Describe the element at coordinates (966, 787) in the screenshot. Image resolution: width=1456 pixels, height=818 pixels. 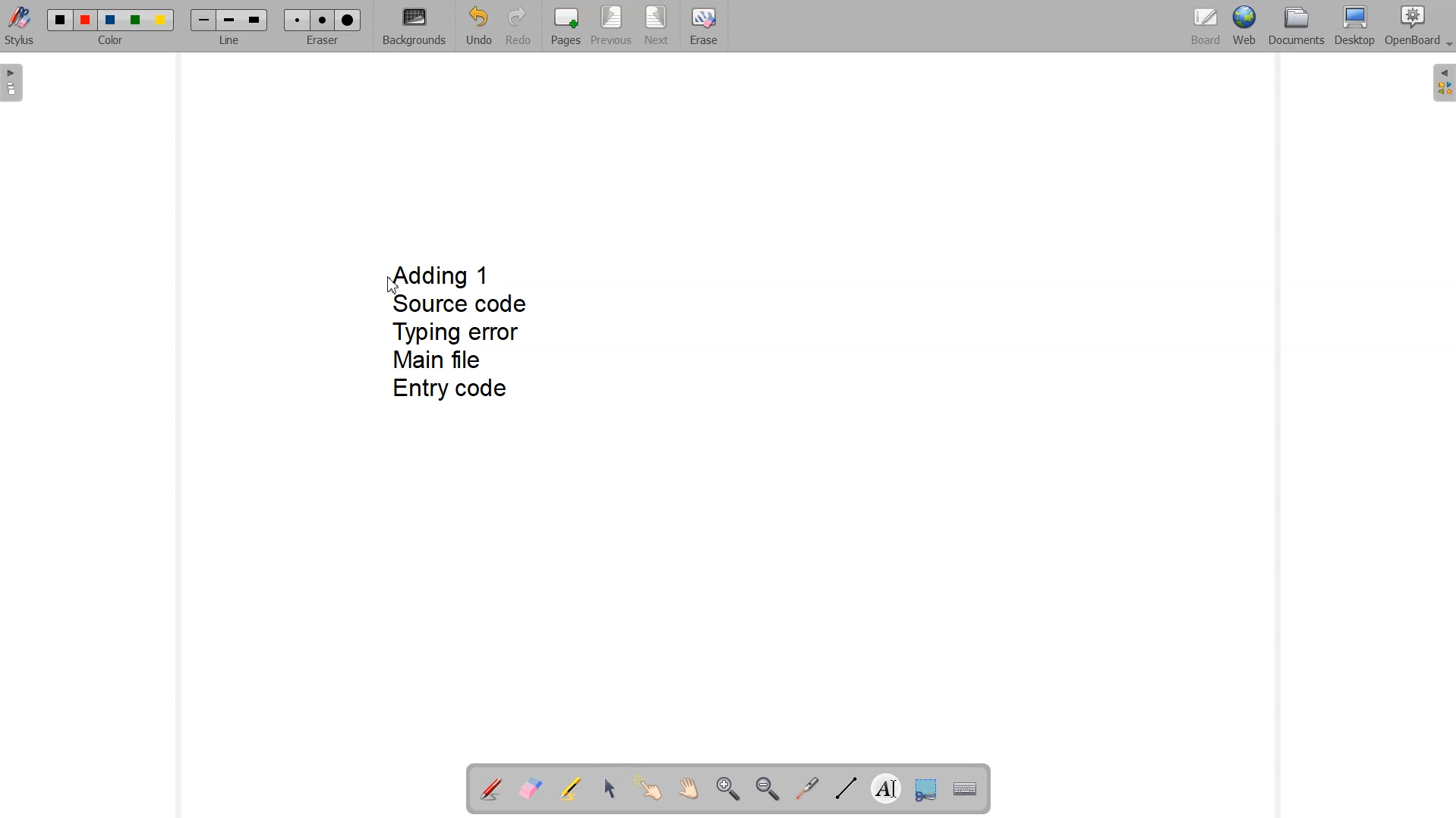
I see `Display virtual keyboard ` at that location.